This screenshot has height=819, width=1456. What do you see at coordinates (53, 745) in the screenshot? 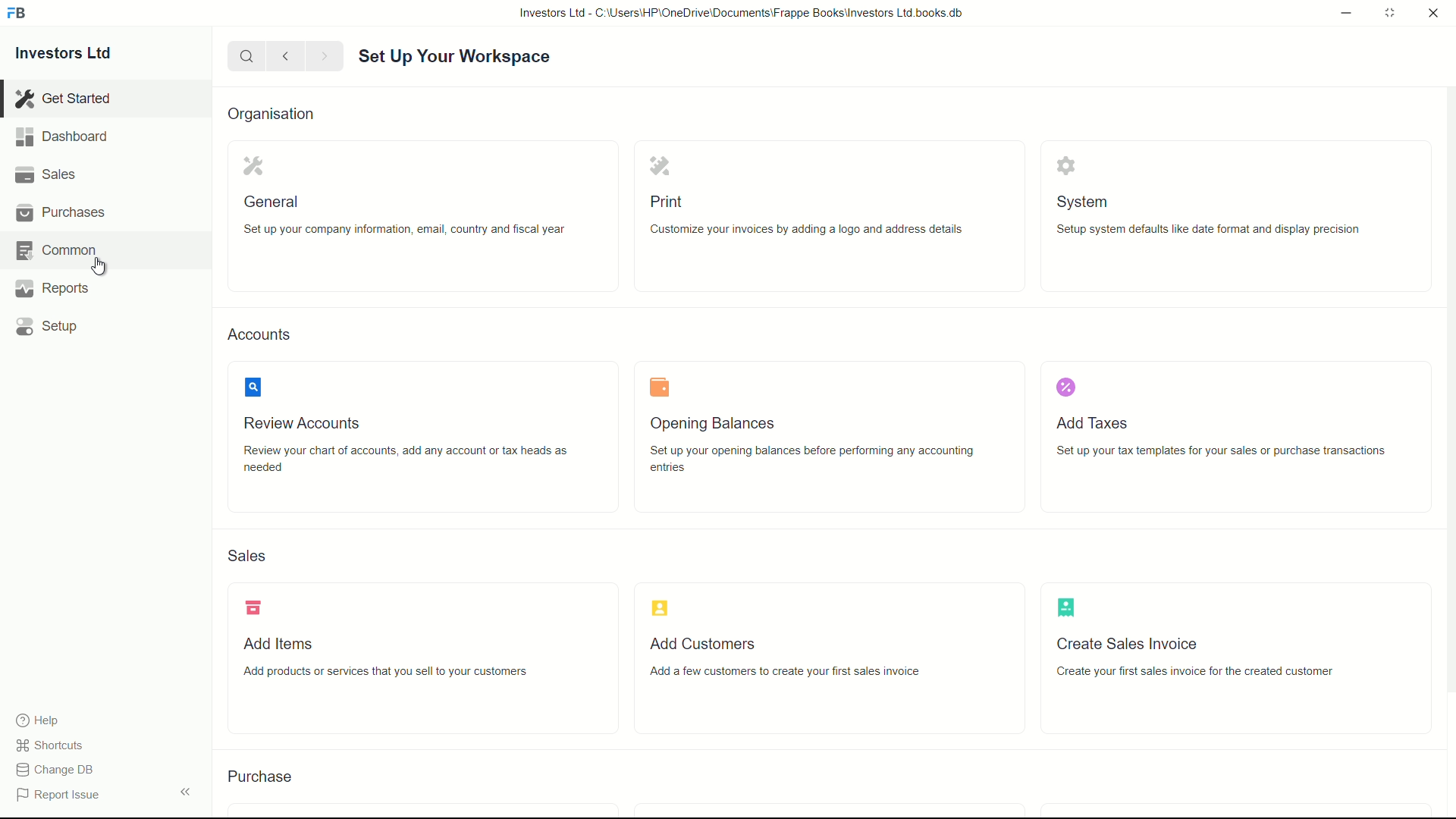
I see `shortcuts` at bounding box center [53, 745].